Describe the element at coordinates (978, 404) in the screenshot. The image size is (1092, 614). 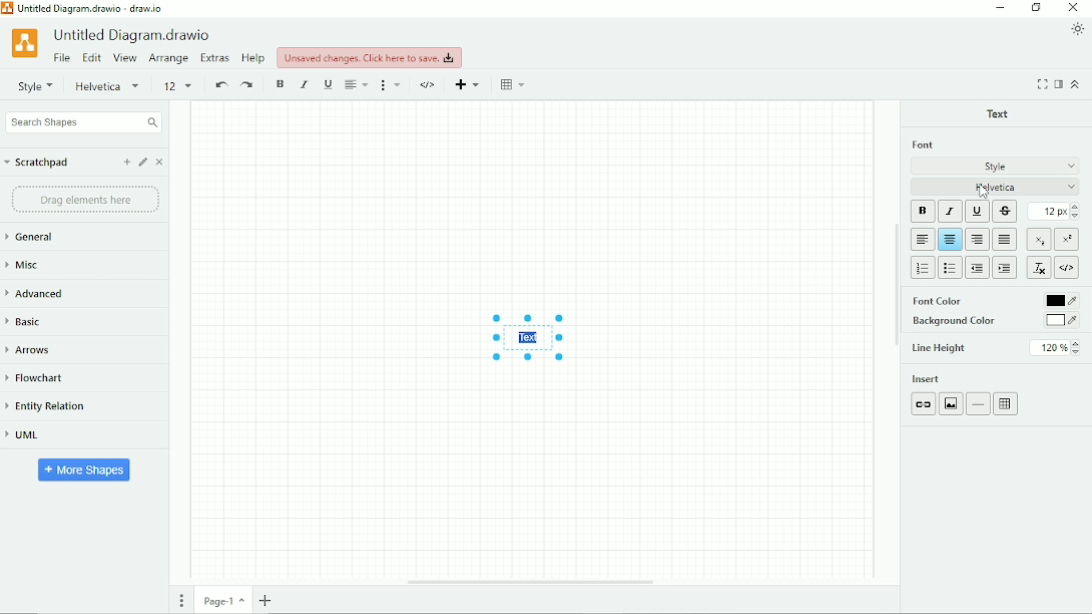
I see `Insert horizontal rule` at that location.